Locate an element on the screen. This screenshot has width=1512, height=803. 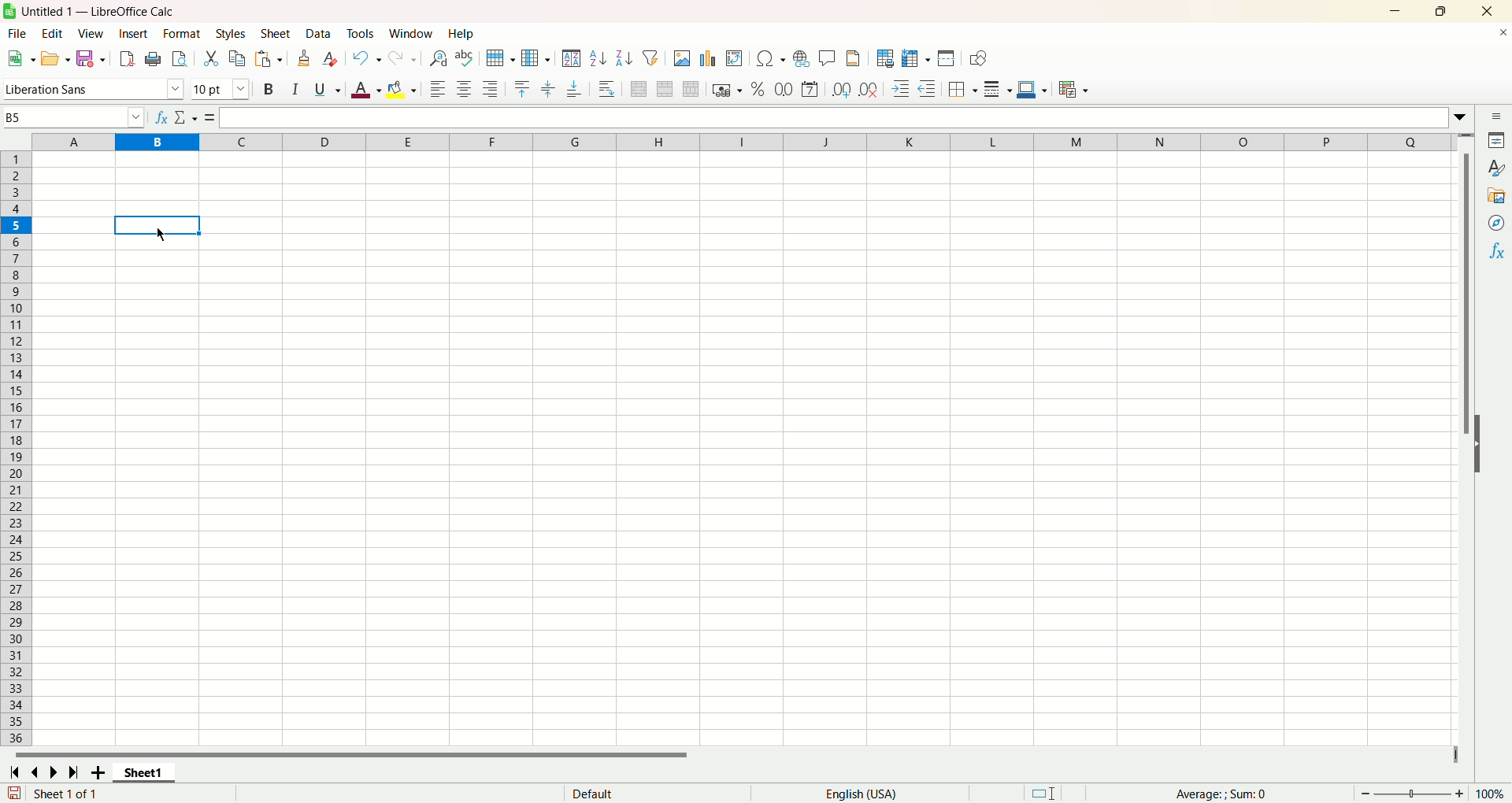
autofilter is located at coordinates (653, 57).